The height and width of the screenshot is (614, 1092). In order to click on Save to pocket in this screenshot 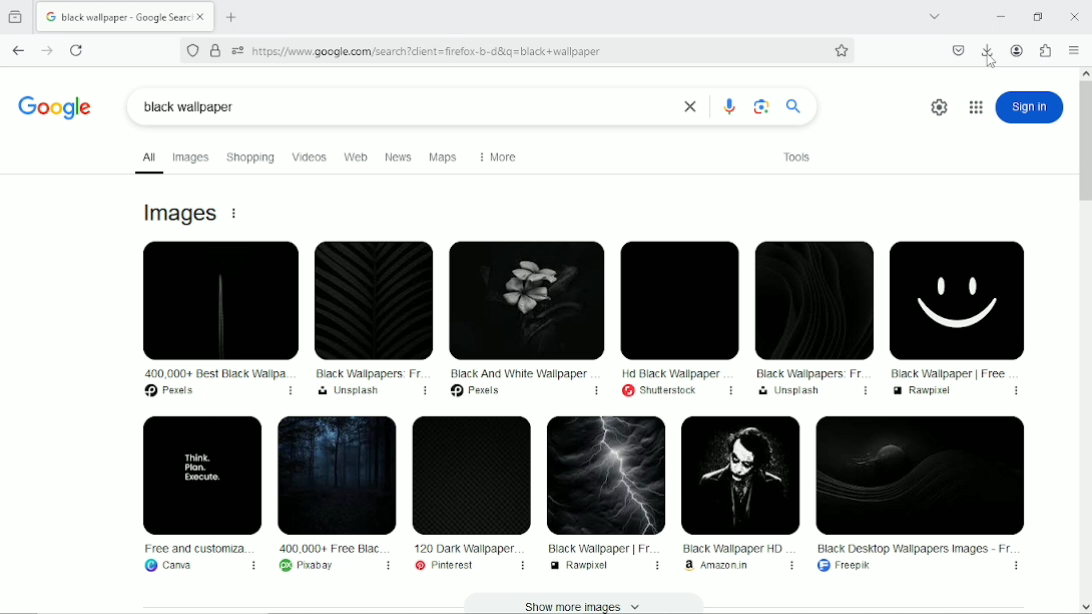, I will do `click(958, 50)`.